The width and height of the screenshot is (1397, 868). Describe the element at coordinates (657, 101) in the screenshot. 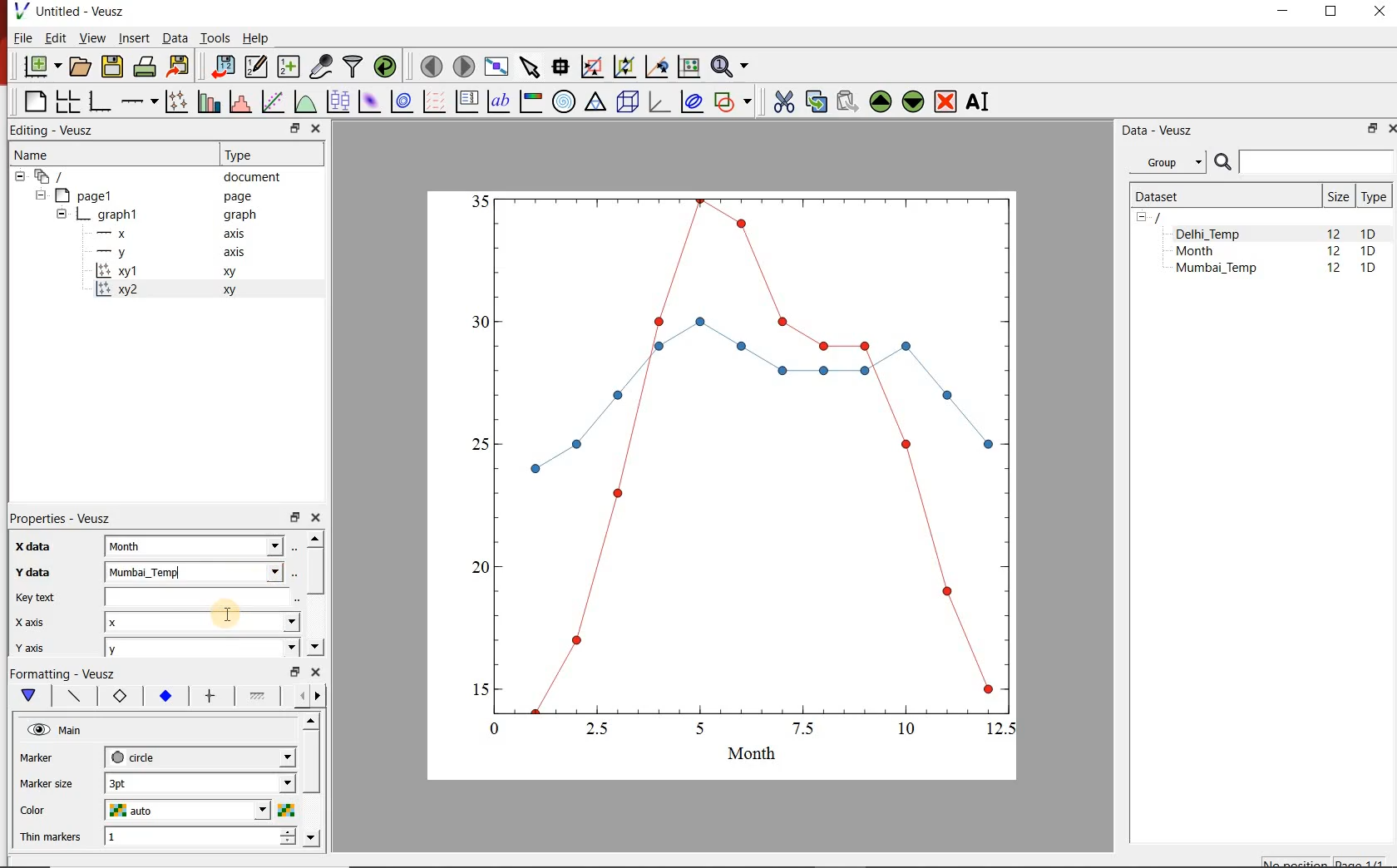

I see `3d graph` at that location.